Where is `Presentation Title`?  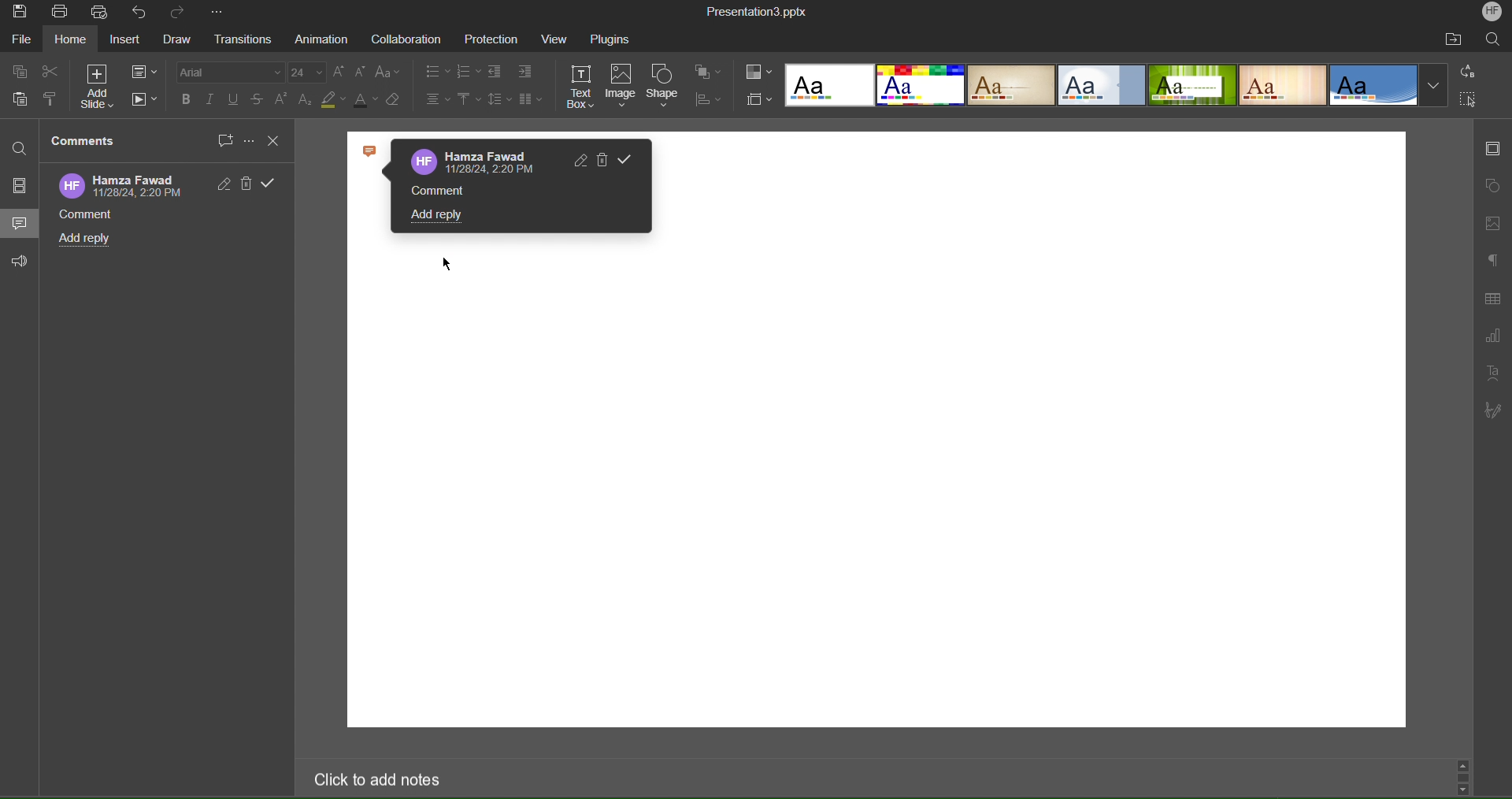 Presentation Title is located at coordinates (754, 12).